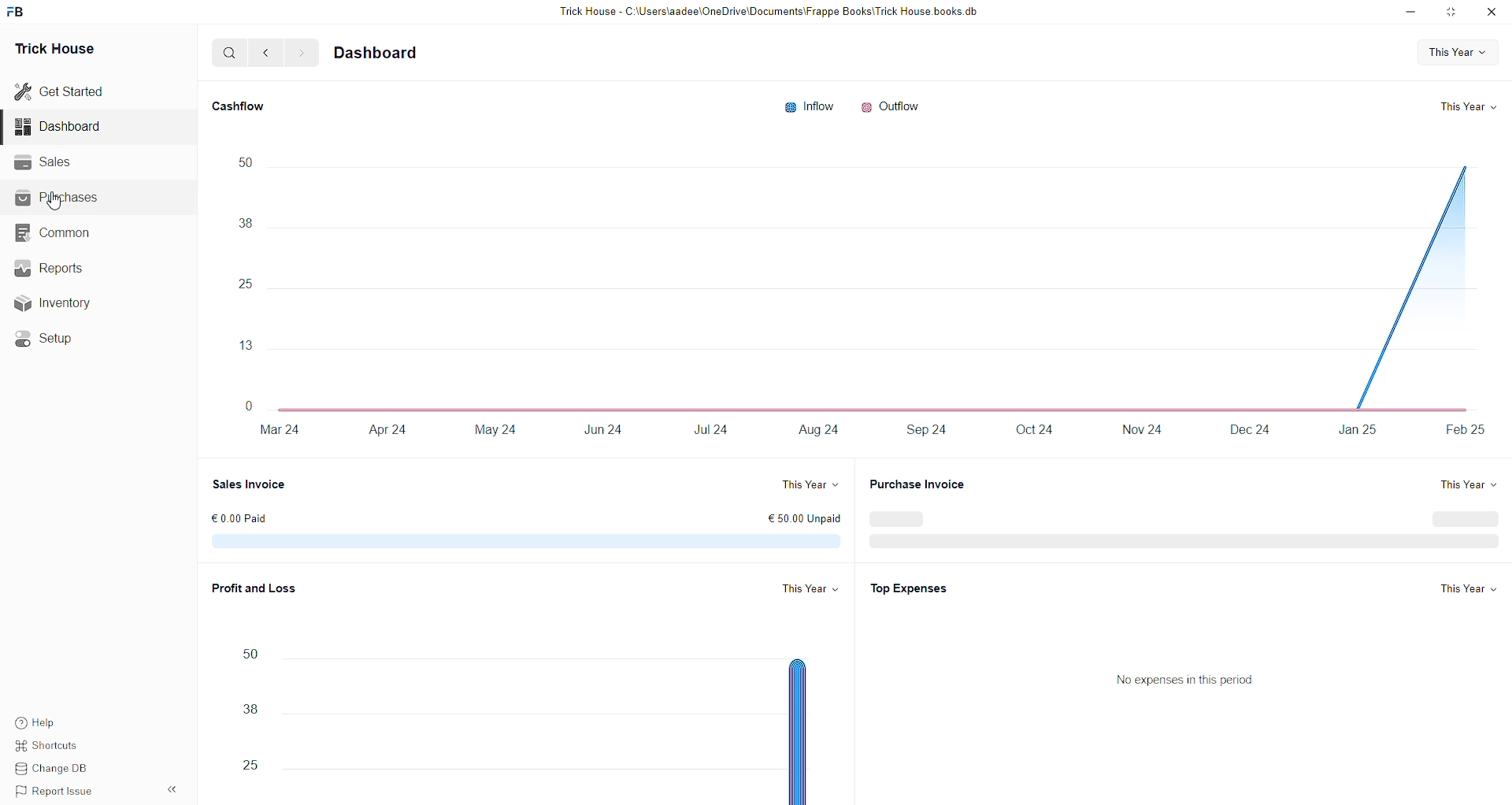 The image size is (1512, 805). Describe the element at coordinates (20, 13) in the screenshot. I see `Frappebooks Logo` at that location.